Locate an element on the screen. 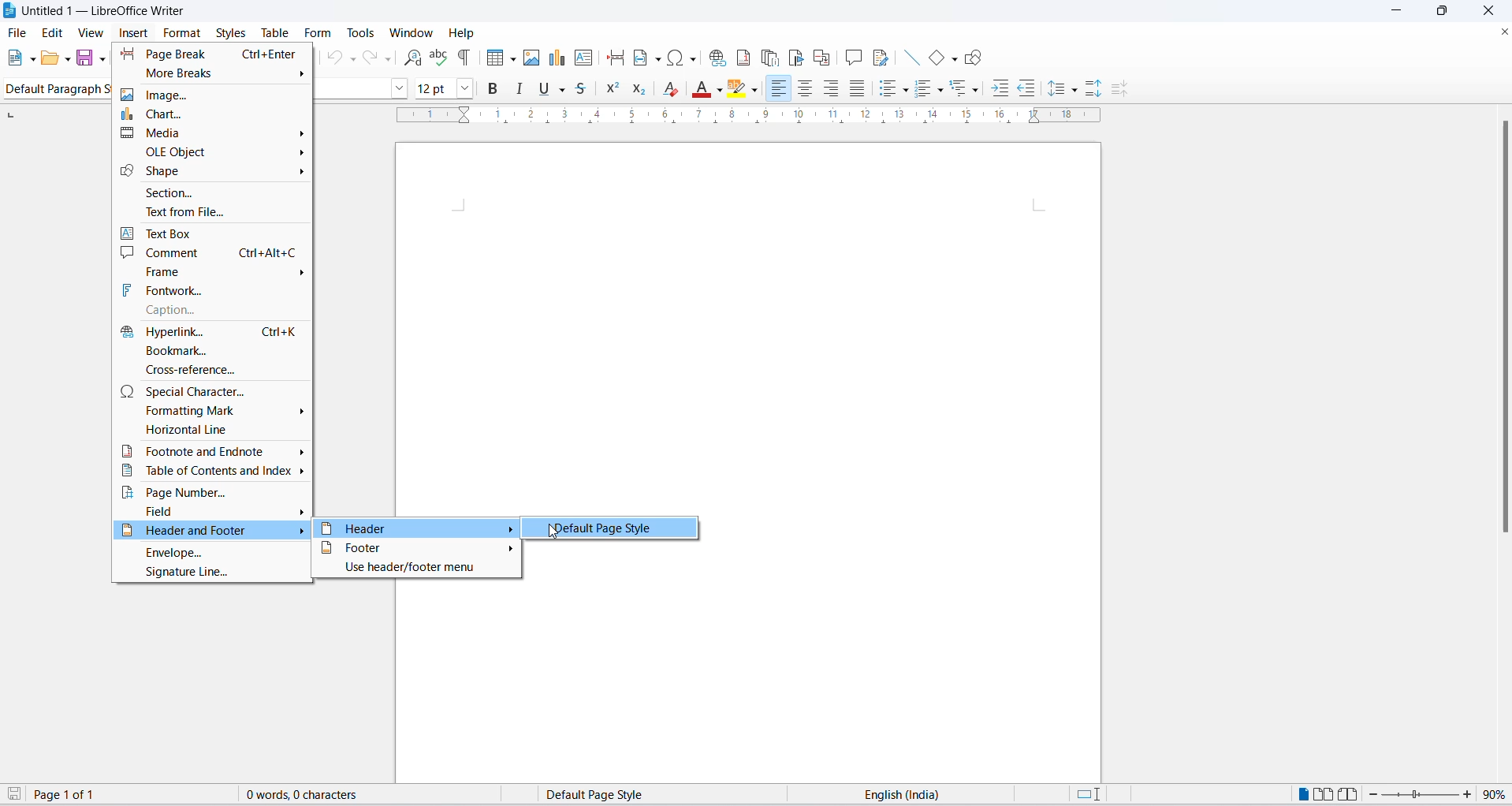 This screenshot has width=1512, height=806. redo is located at coordinates (378, 58).